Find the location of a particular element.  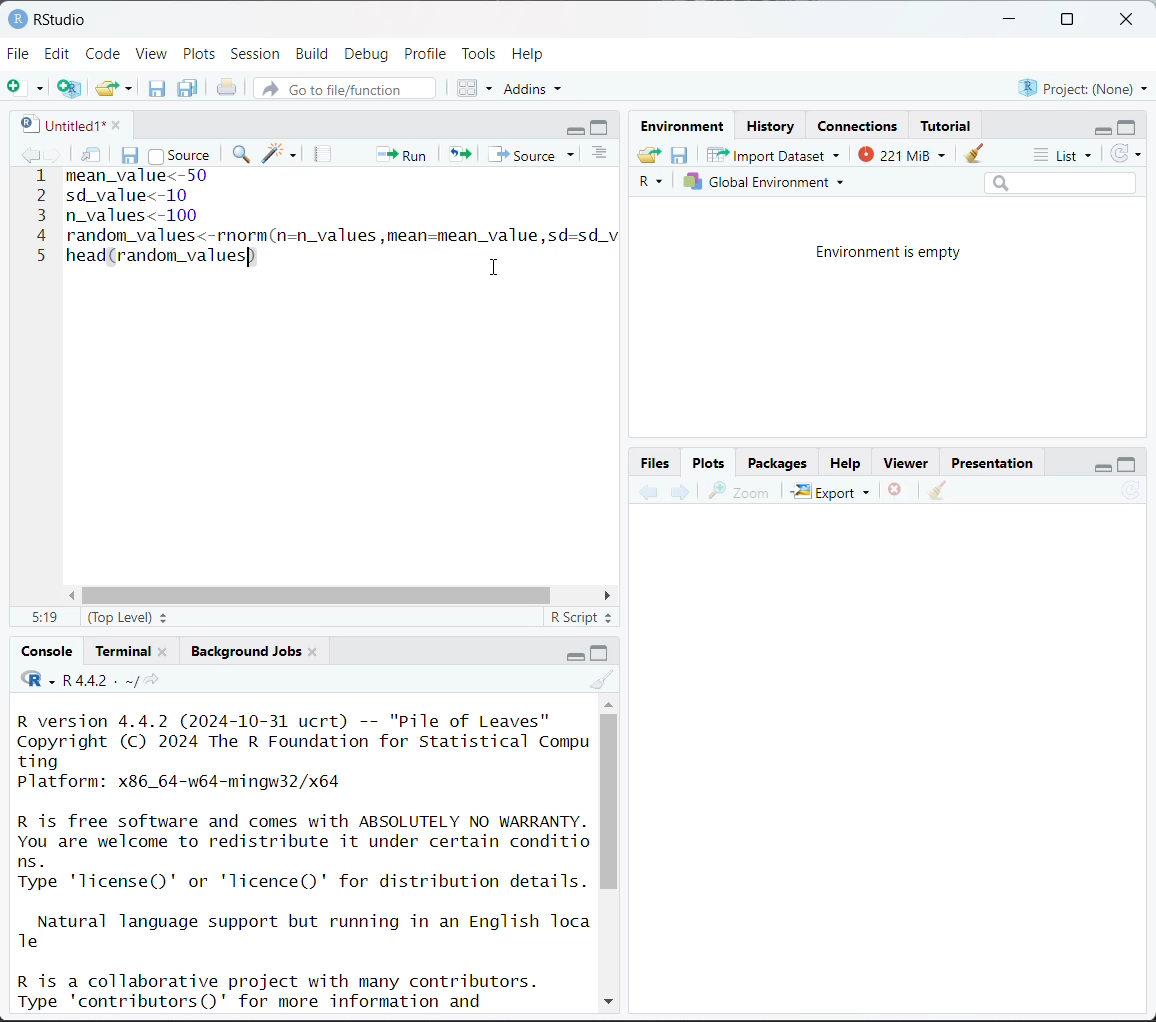

Edit is located at coordinates (60, 53).